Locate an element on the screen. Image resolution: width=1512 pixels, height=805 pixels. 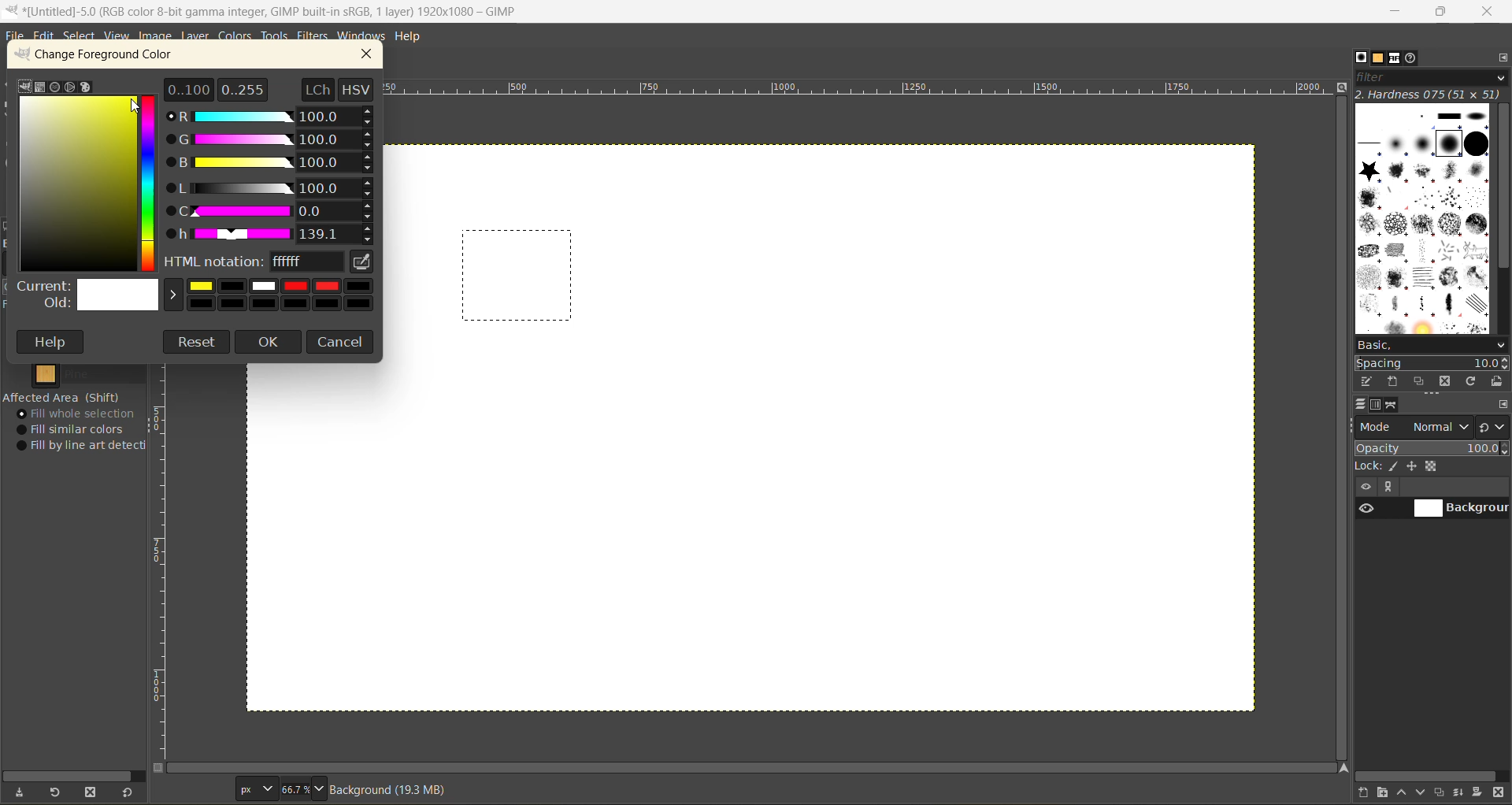
minimize is located at coordinates (1398, 10).